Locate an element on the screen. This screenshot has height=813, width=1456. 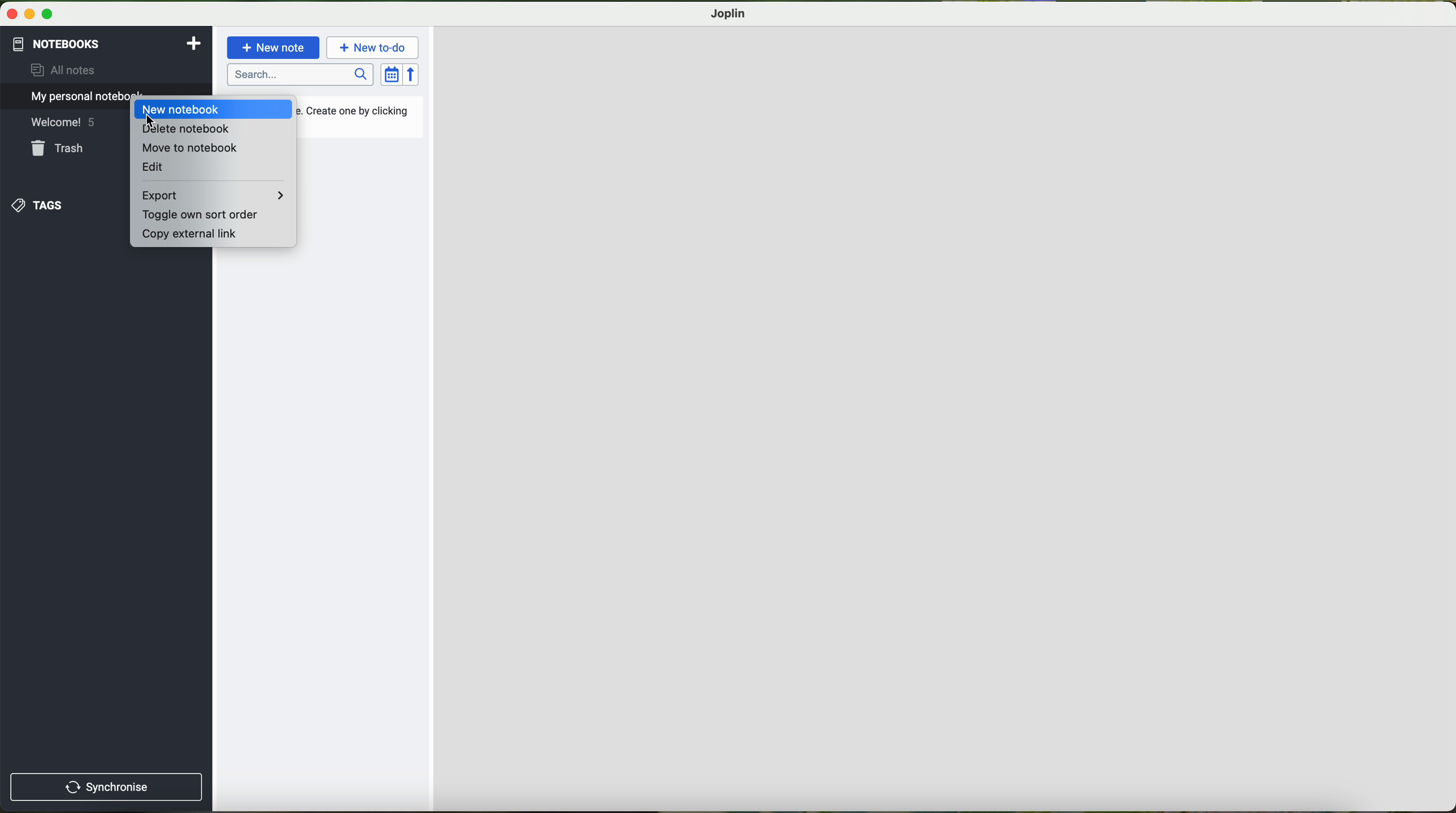
edit is located at coordinates (153, 167).